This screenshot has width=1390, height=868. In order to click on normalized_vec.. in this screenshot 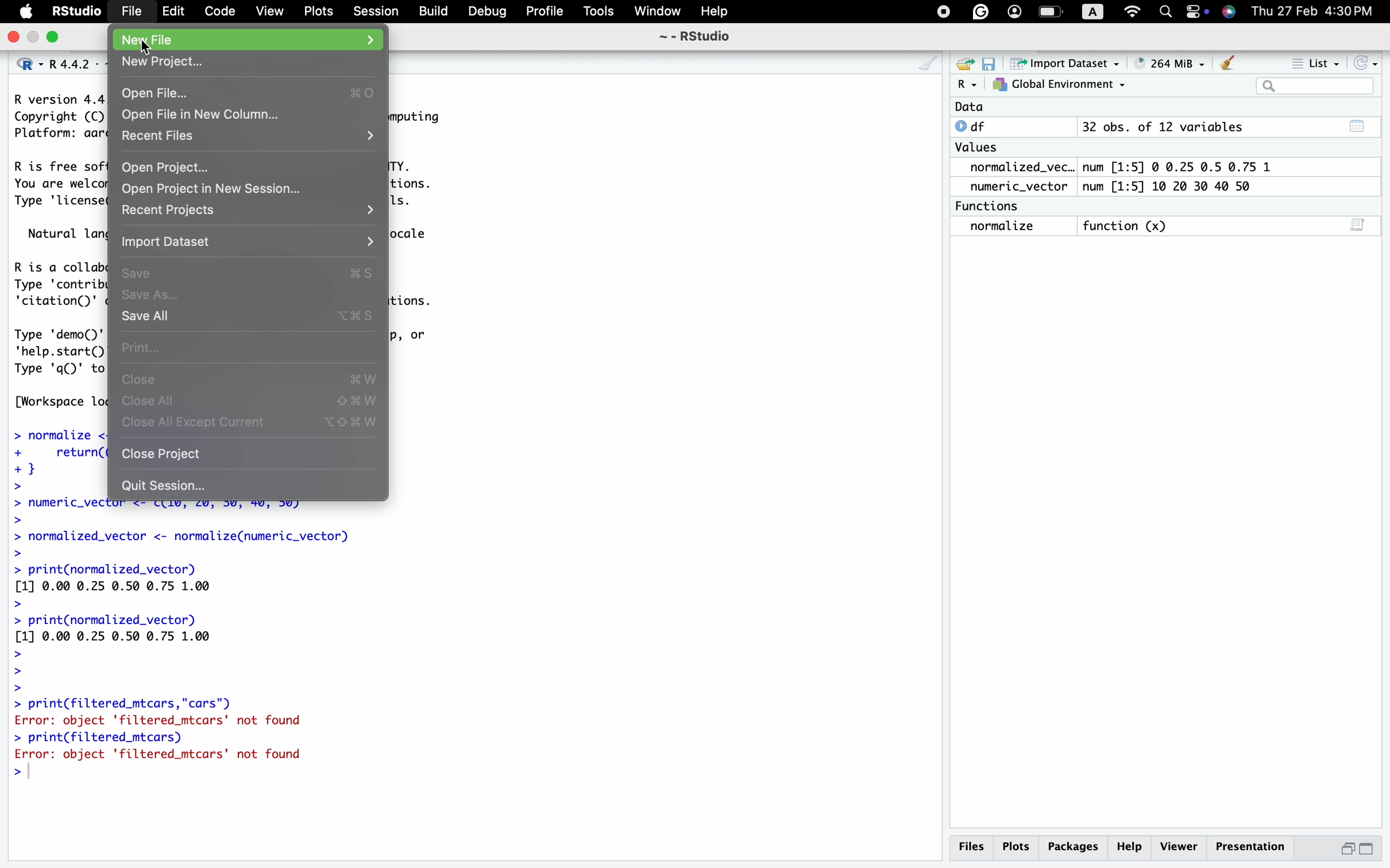, I will do `click(1018, 166)`.